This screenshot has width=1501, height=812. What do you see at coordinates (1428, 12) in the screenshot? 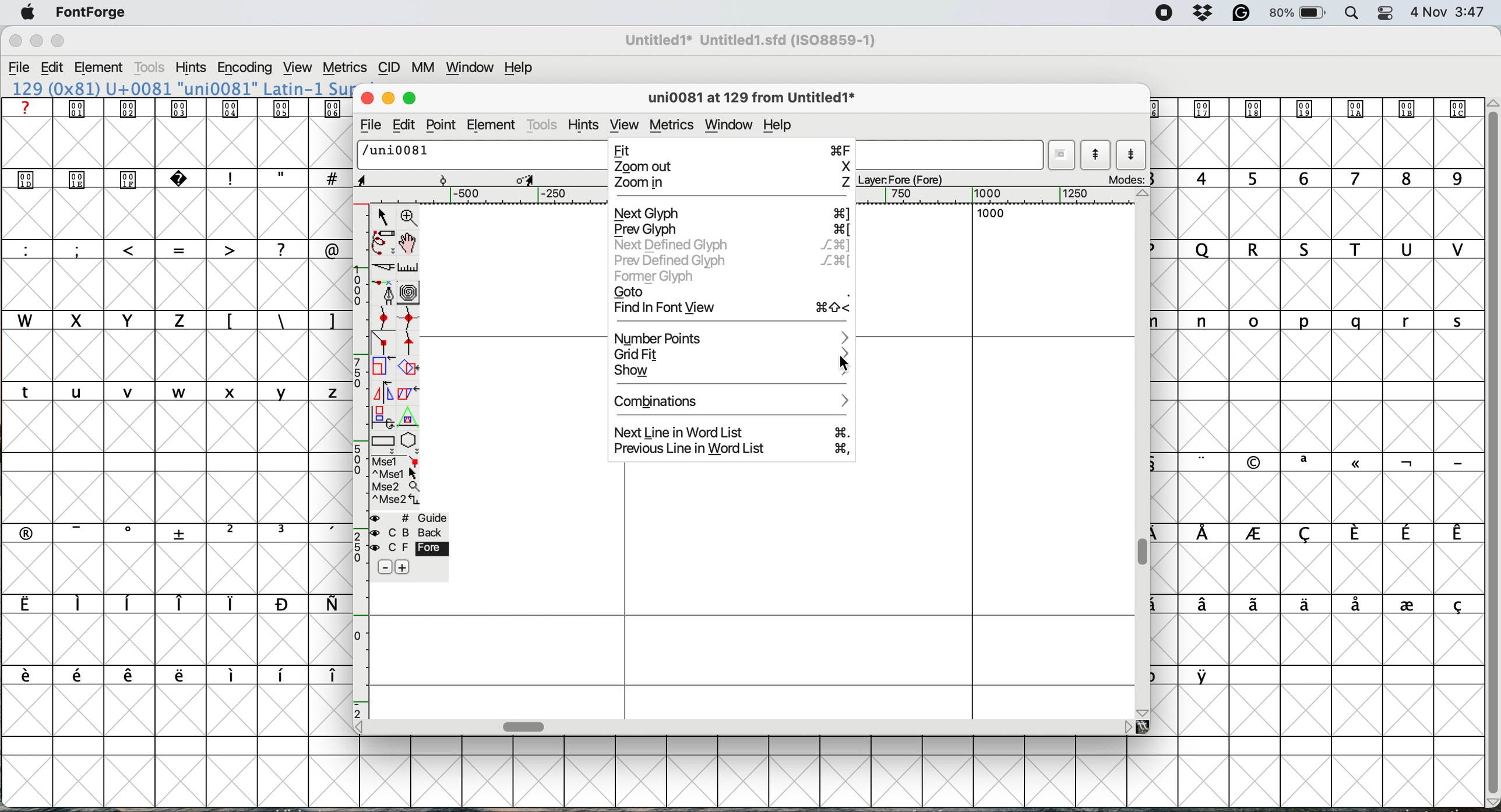
I see `Date` at bounding box center [1428, 12].